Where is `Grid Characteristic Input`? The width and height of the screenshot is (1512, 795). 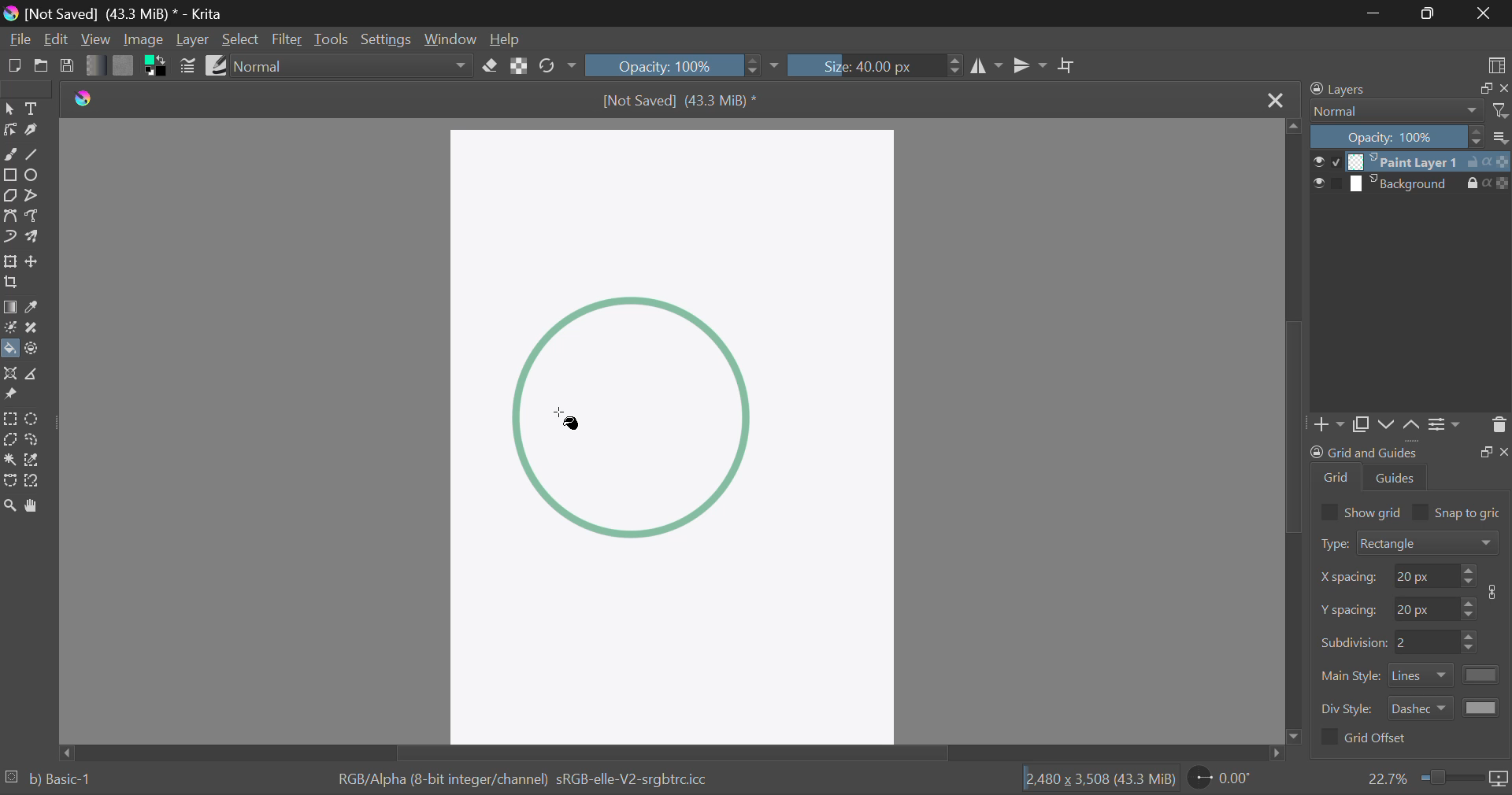
Grid Characteristic Input is located at coordinates (1413, 643).